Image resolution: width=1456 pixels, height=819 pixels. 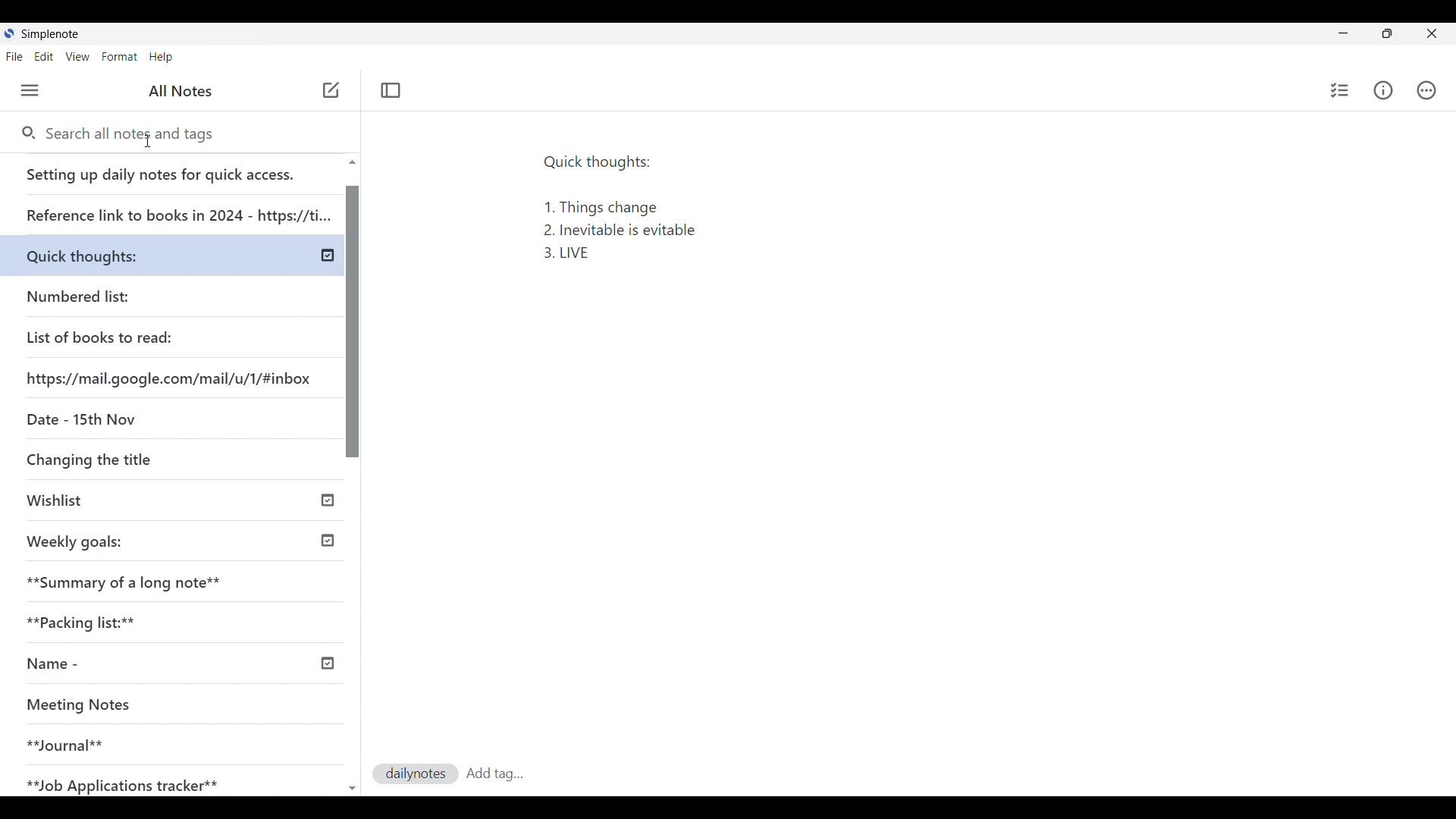 I want to click on Show in smaller tab, so click(x=1387, y=33).